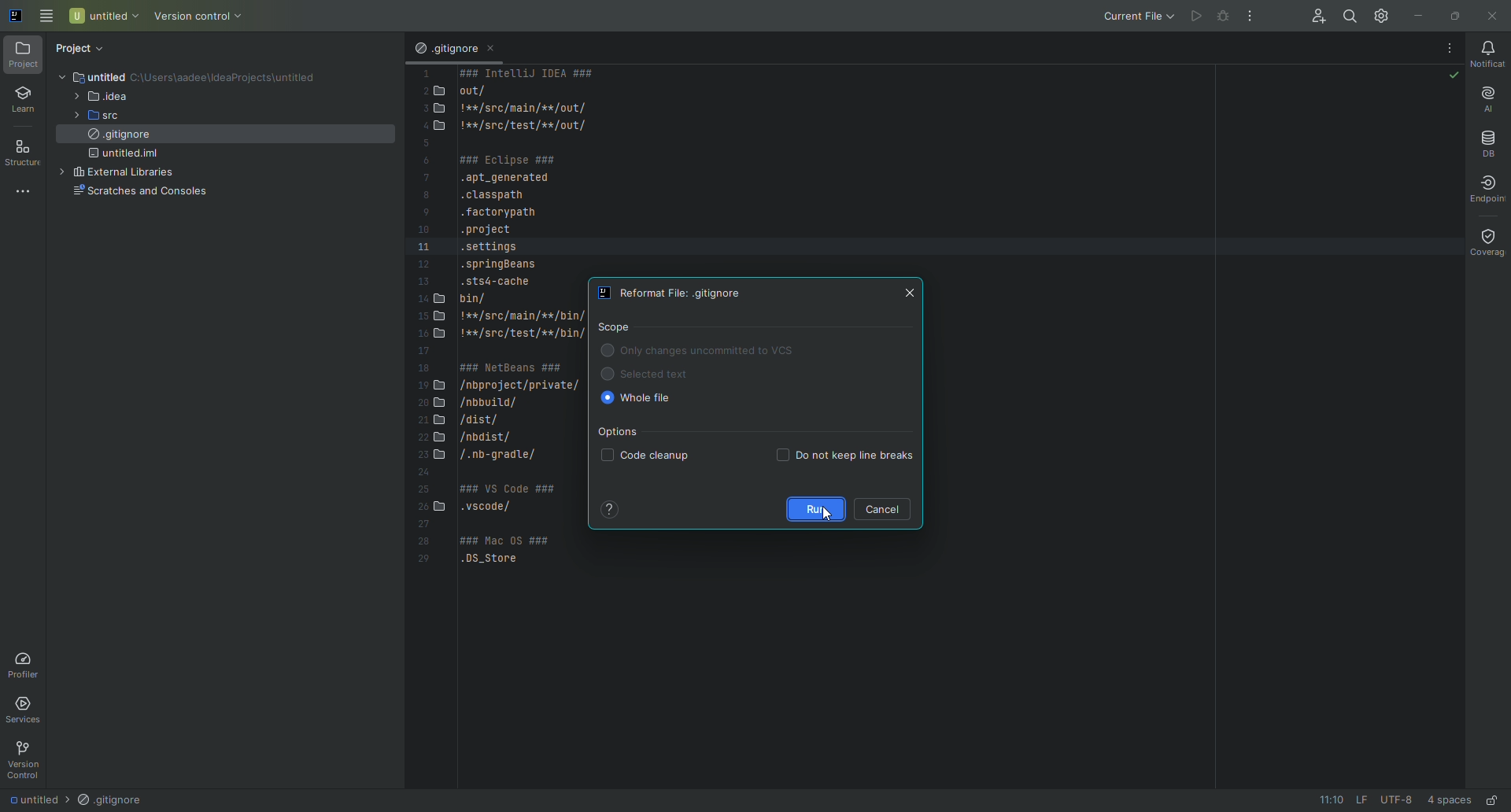  I want to click on Restore, so click(1454, 14).